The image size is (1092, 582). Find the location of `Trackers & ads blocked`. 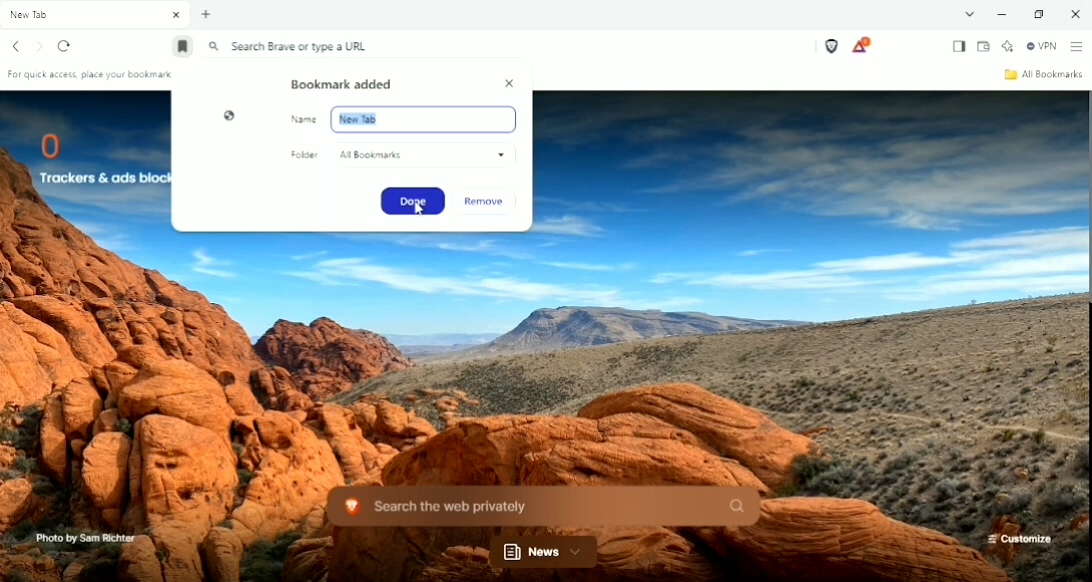

Trackers & ads blocked is located at coordinates (95, 156).